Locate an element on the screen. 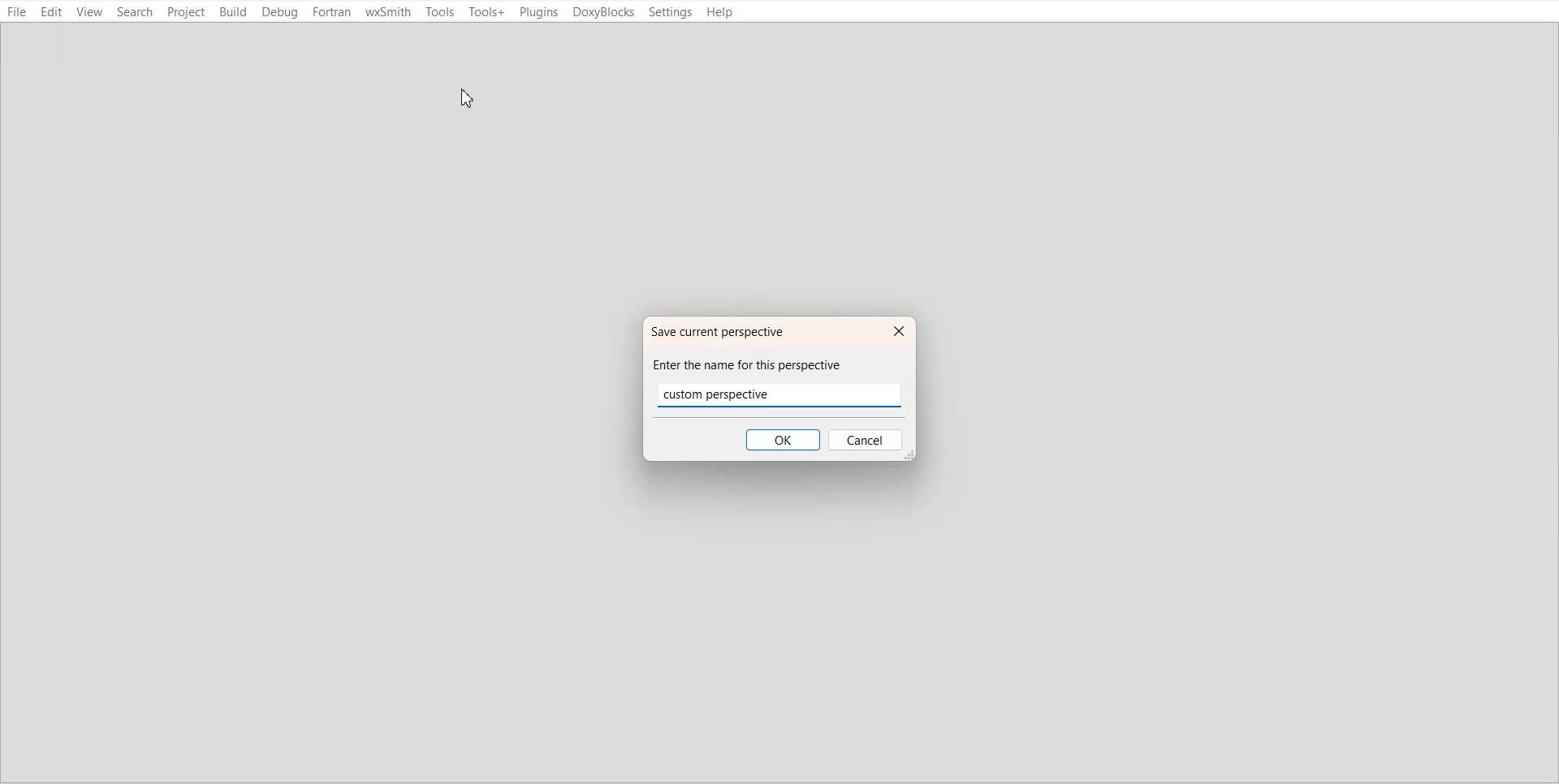 This screenshot has width=1559, height=784. Save current perspective is located at coordinates (727, 331).